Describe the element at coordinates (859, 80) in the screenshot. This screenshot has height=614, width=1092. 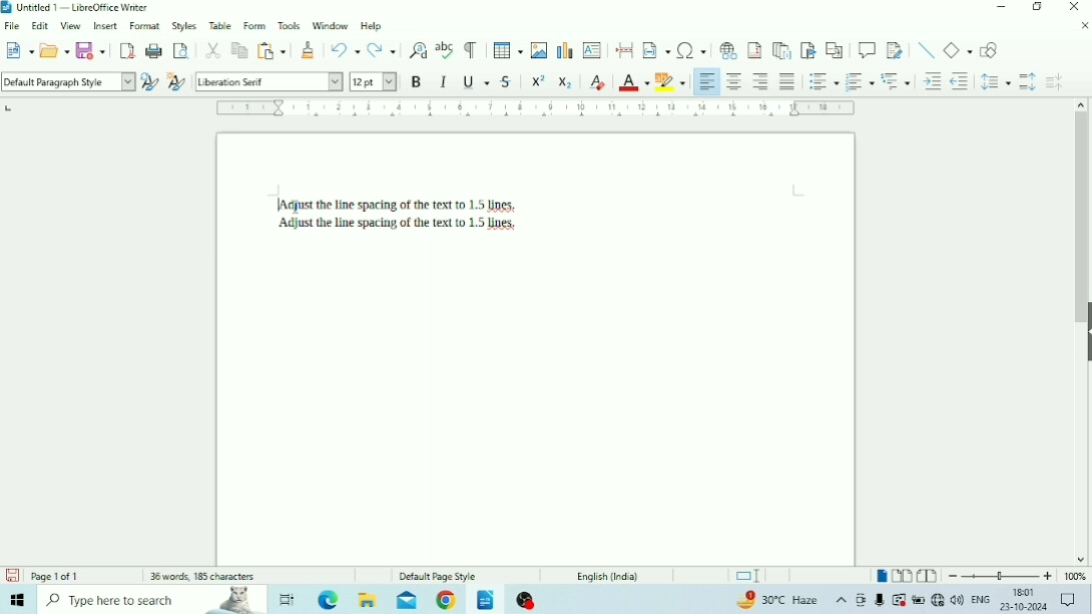
I see `Toggle Ordered List` at that location.